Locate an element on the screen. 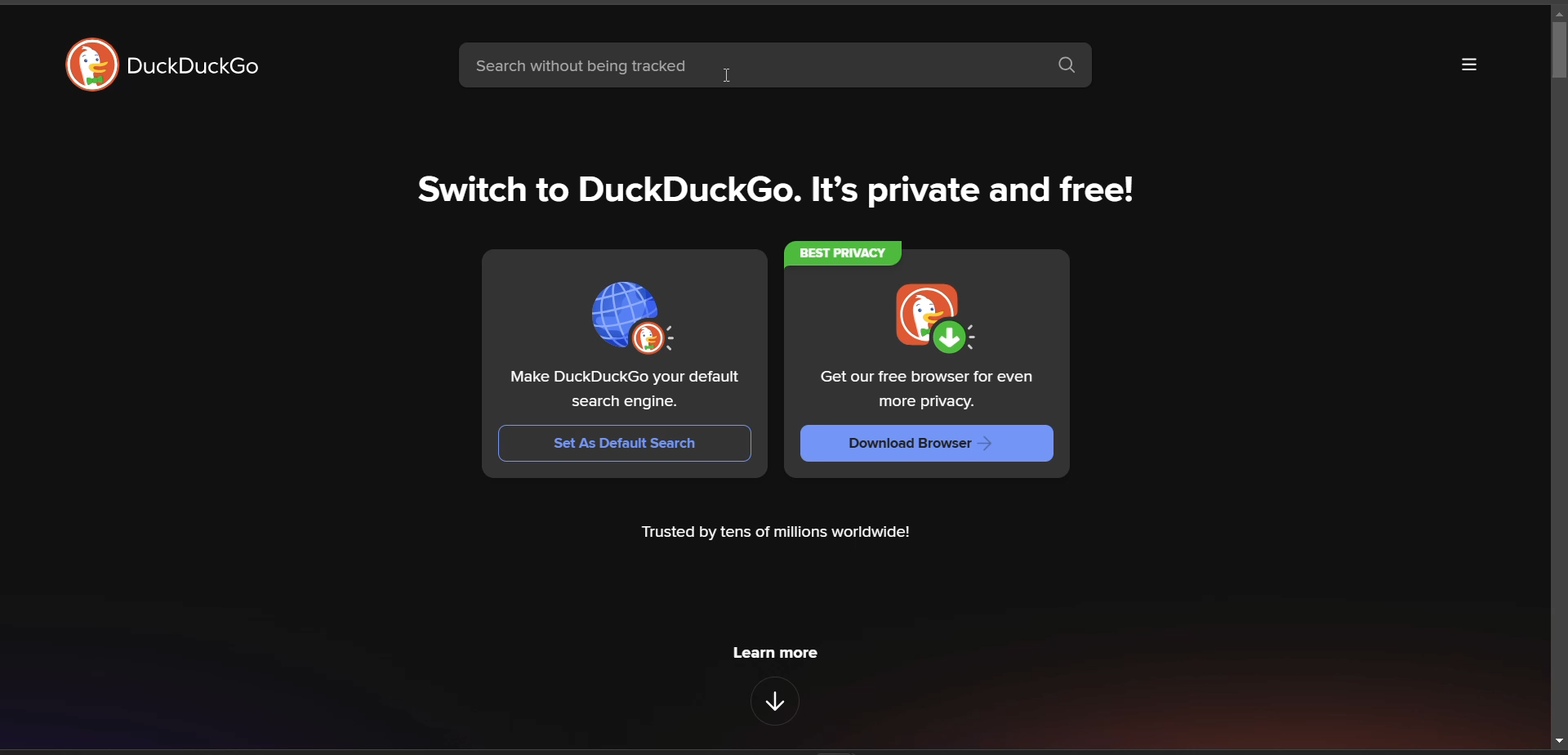 This screenshot has width=1568, height=755. Download Browser is located at coordinates (928, 445).